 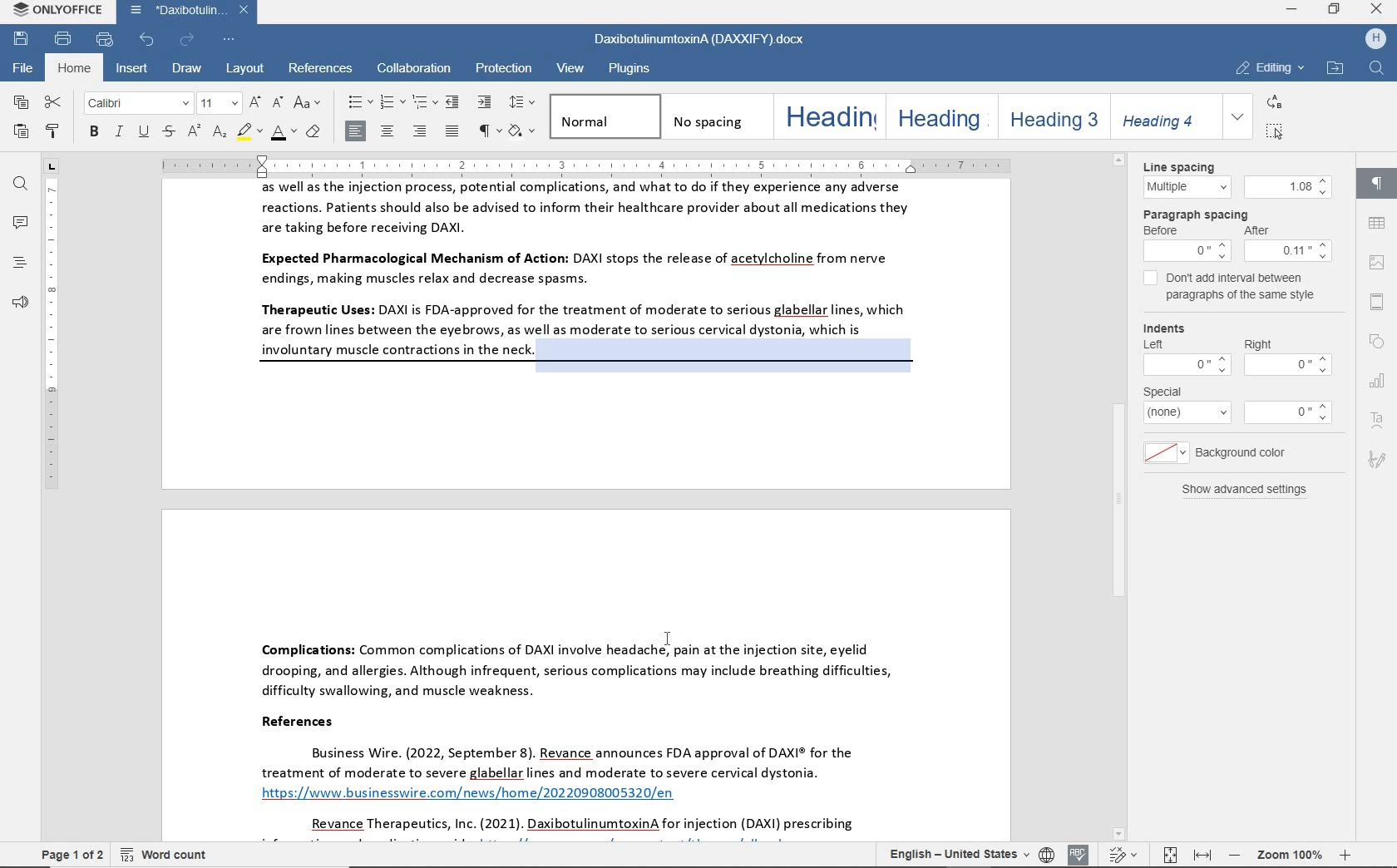 I want to click on font color, so click(x=283, y=135).